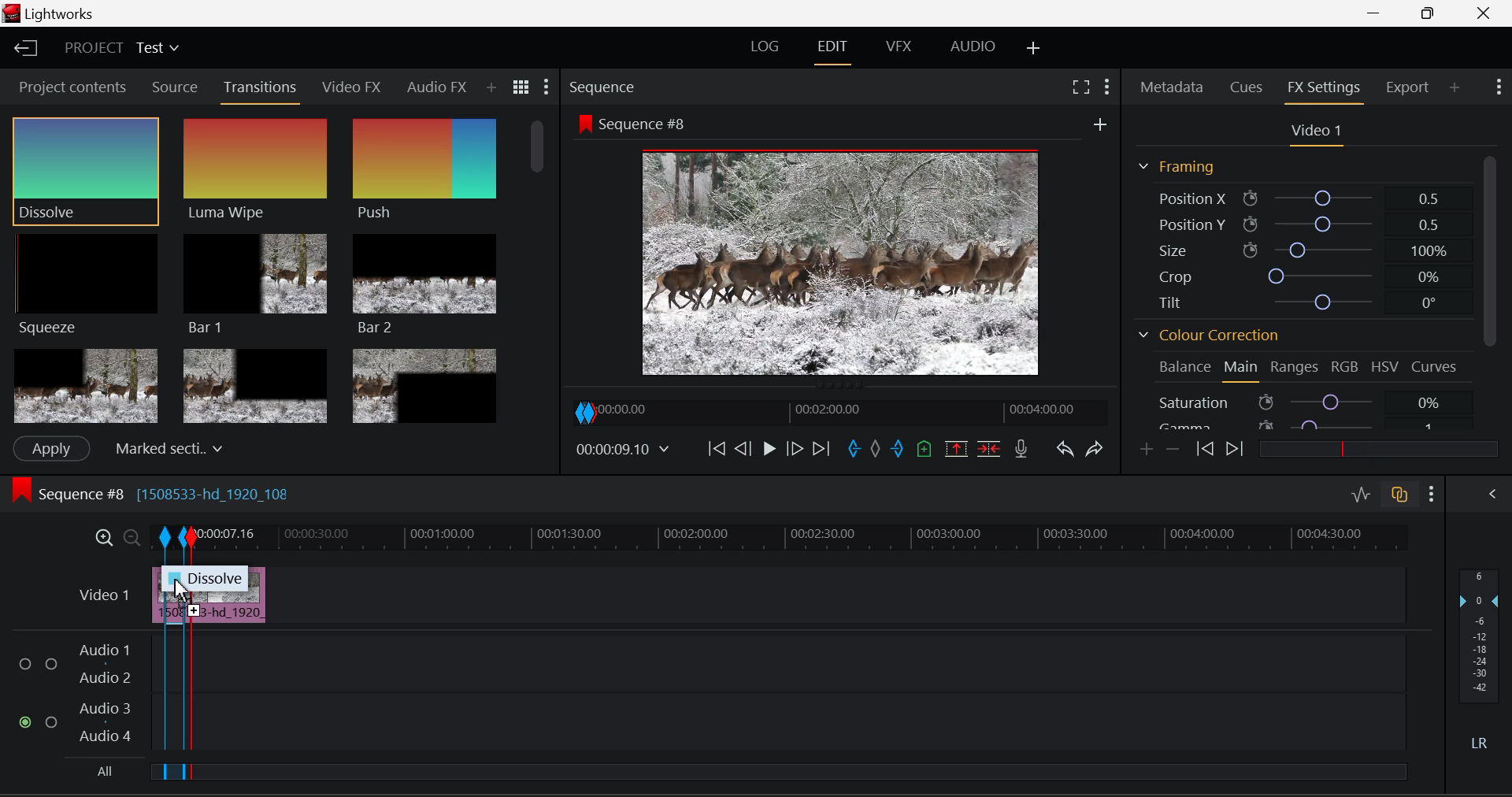  I want to click on Record Voiceover, so click(1022, 449).